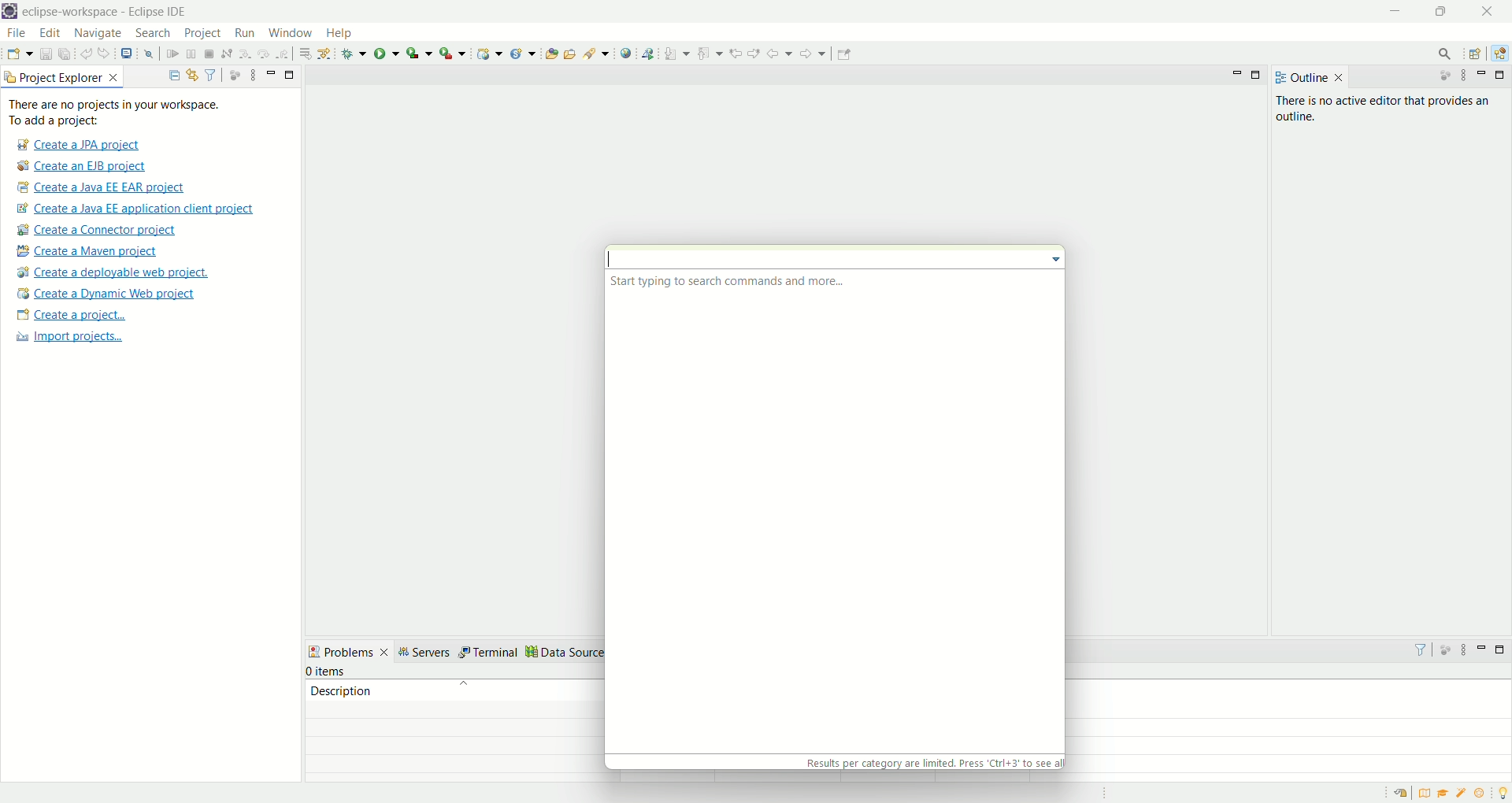  What do you see at coordinates (127, 56) in the screenshot?
I see `open a terminal` at bounding box center [127, 56].